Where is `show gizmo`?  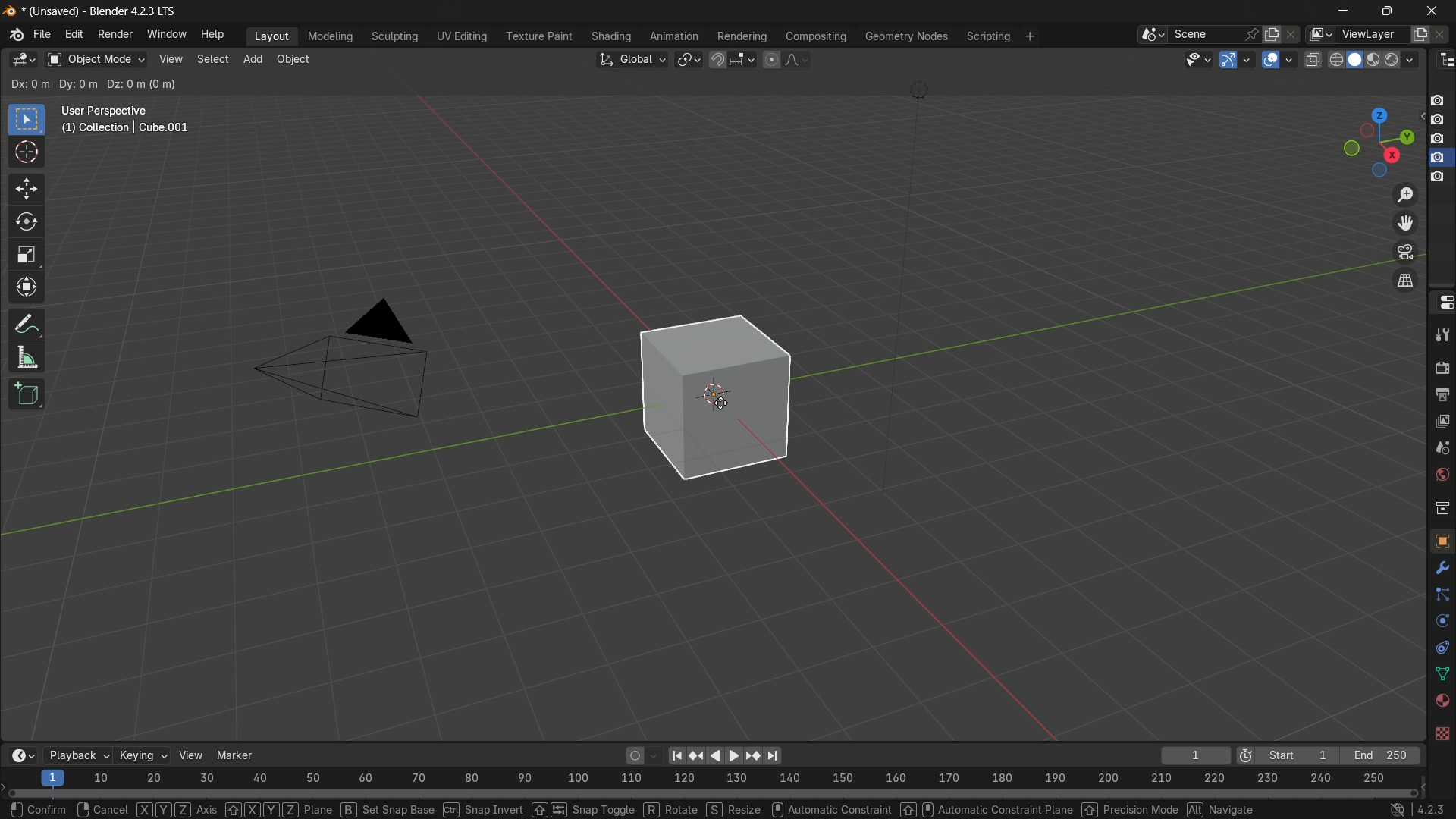 show gizmo is located at coordinates (1228, 60).